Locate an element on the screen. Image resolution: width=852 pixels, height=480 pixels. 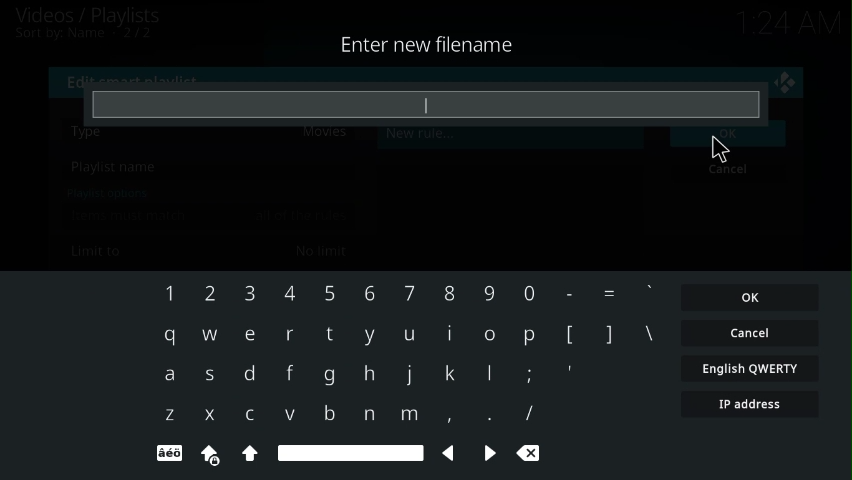
cancel is located at coordinates (726, 170).